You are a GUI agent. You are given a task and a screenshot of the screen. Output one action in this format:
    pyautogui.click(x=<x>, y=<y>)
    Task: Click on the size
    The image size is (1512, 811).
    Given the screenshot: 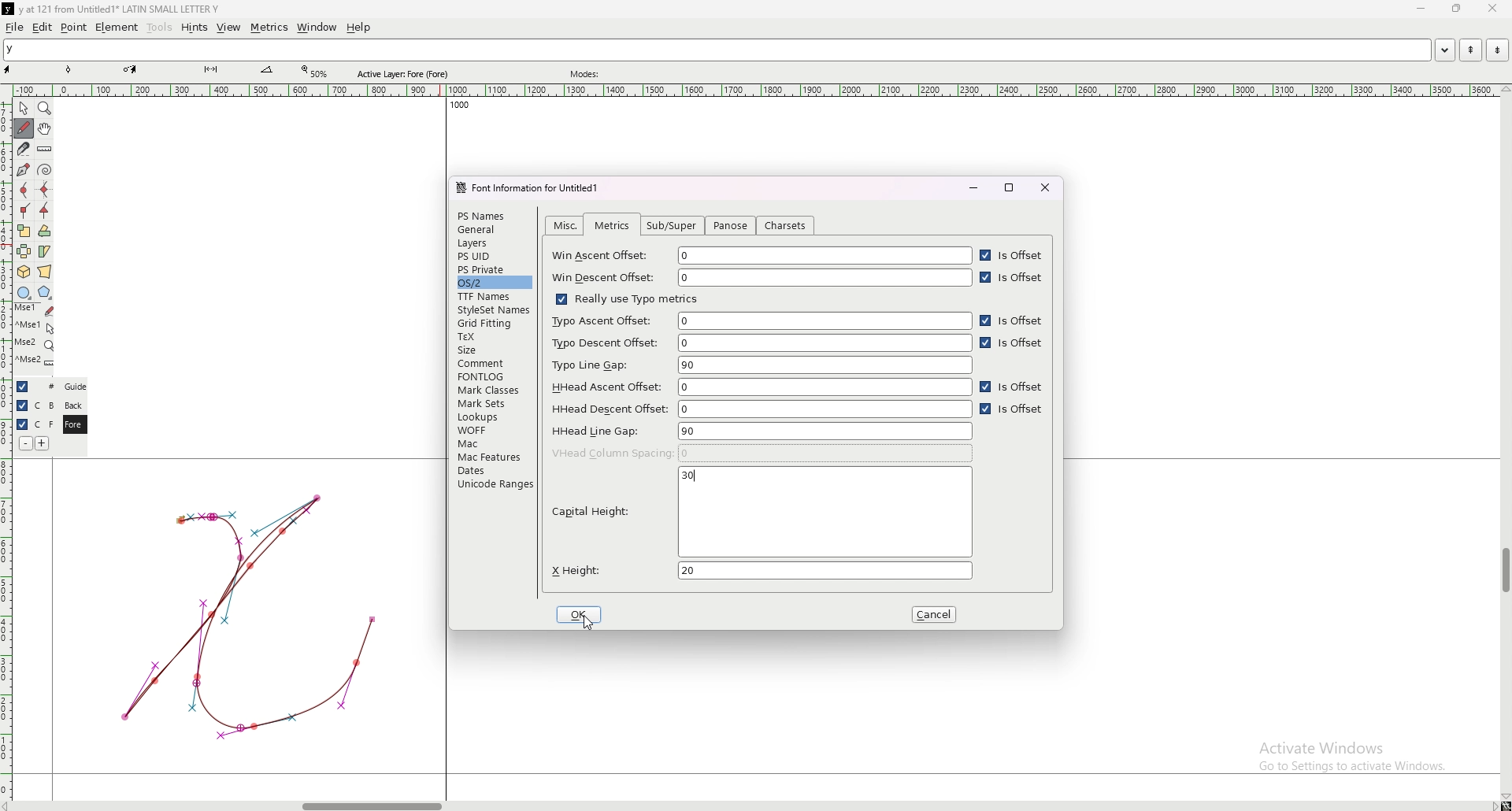 What is the action you would take?
    pyautogui.click(x=494, y=350)
    